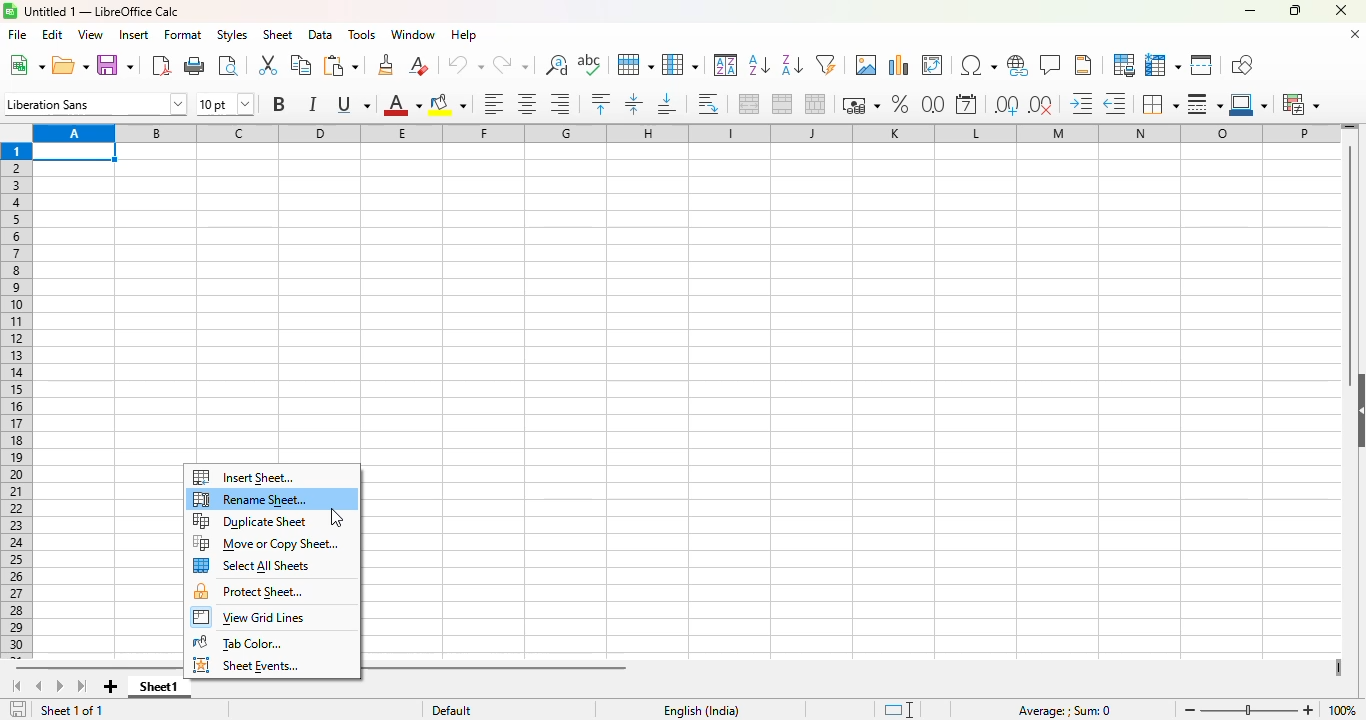 Image resolution: width=1366 pixels, height=720 pixels. What do you see at coordinates (1080, 102) in the screenshot?
I see `increase indent` at bounding box center [1080, 102].